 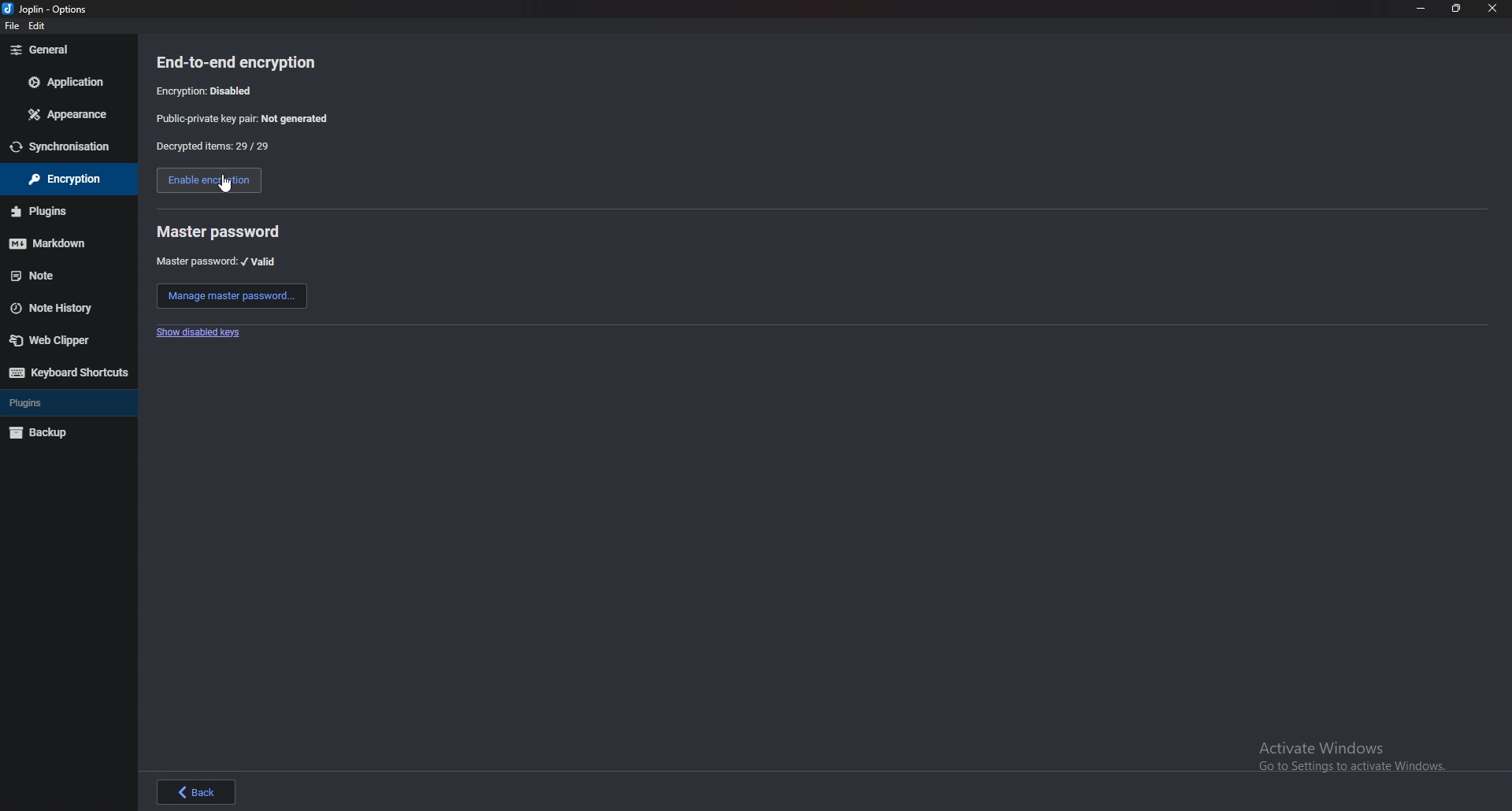 I want to click on , so click(x=1493, y=10).